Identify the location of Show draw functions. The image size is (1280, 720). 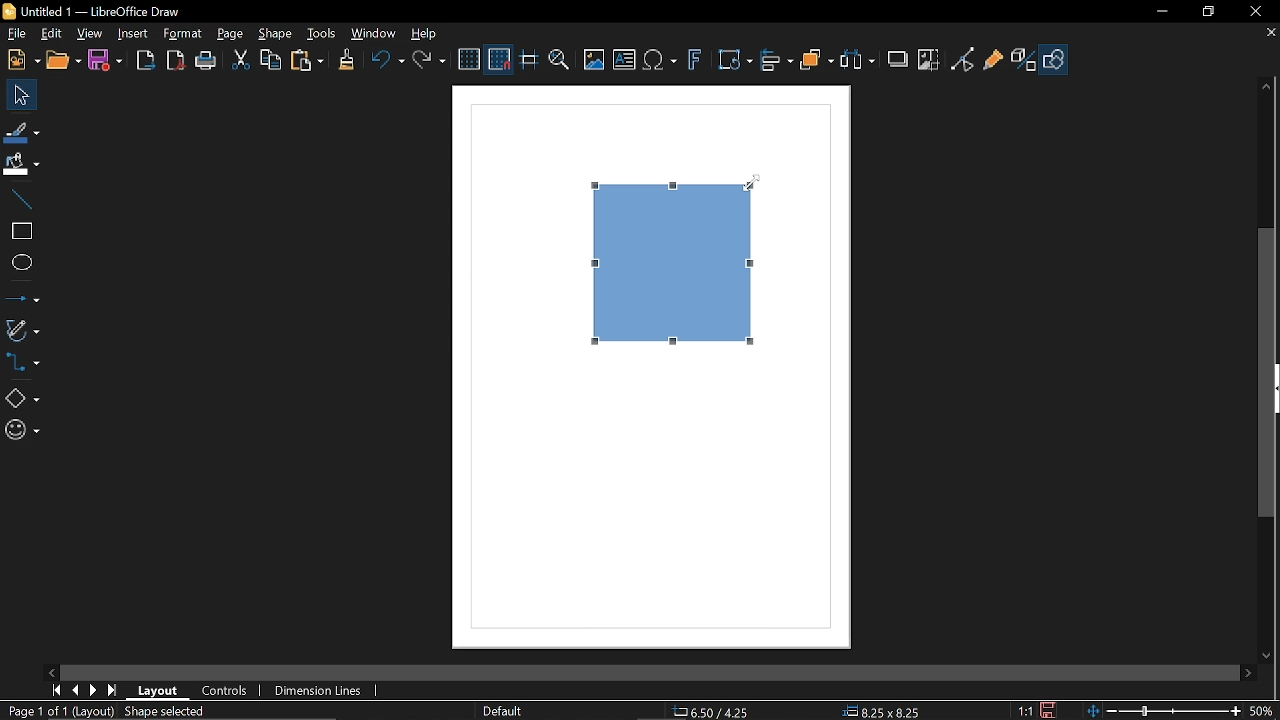
(1056, 59).